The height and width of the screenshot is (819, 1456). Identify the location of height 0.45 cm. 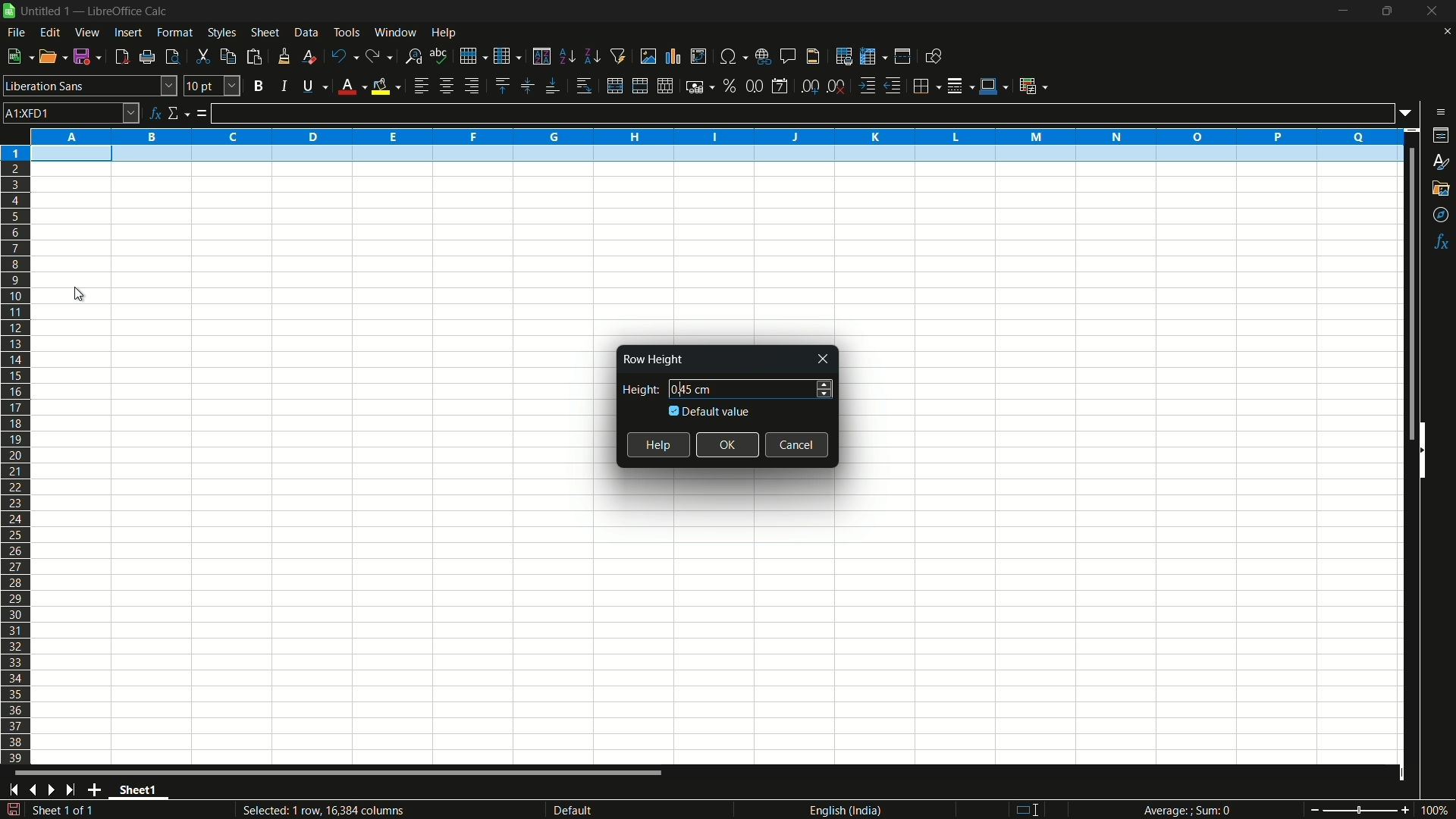
(739, 388).